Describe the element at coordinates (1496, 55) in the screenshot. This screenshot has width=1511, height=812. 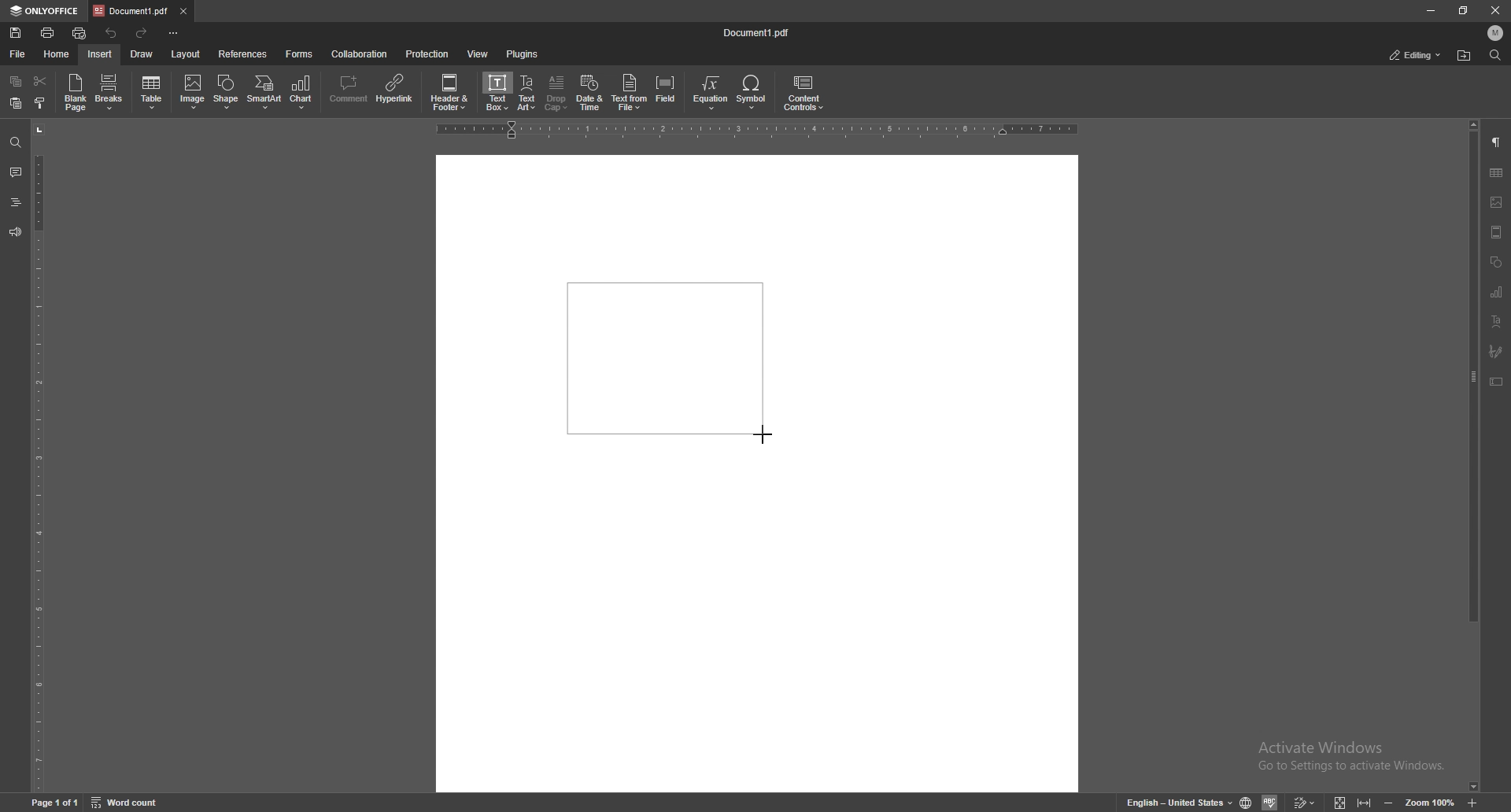
I see `find` at that location.